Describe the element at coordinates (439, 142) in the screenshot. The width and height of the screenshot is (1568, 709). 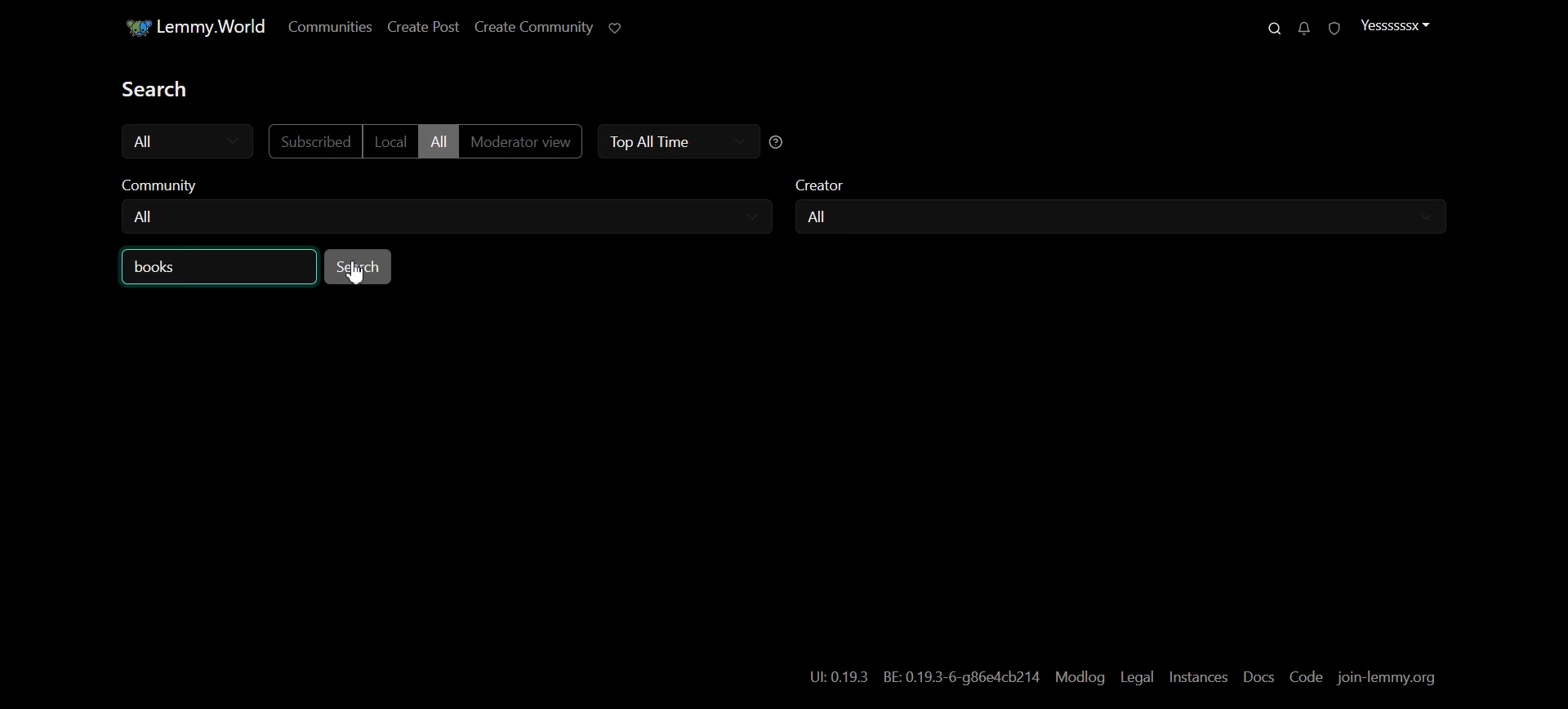
I see `All` at that location.